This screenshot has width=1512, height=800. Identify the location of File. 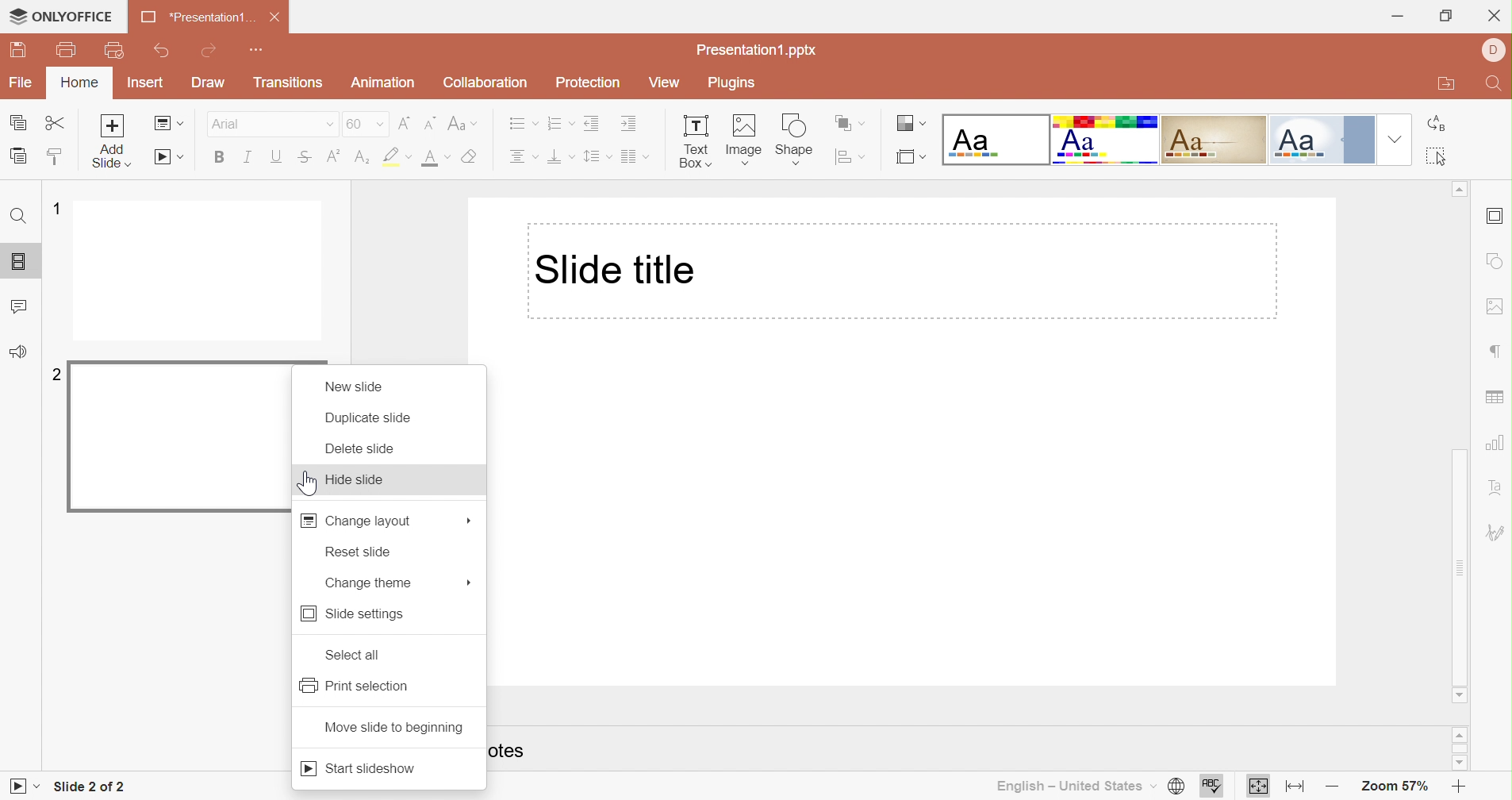
(18, 83).